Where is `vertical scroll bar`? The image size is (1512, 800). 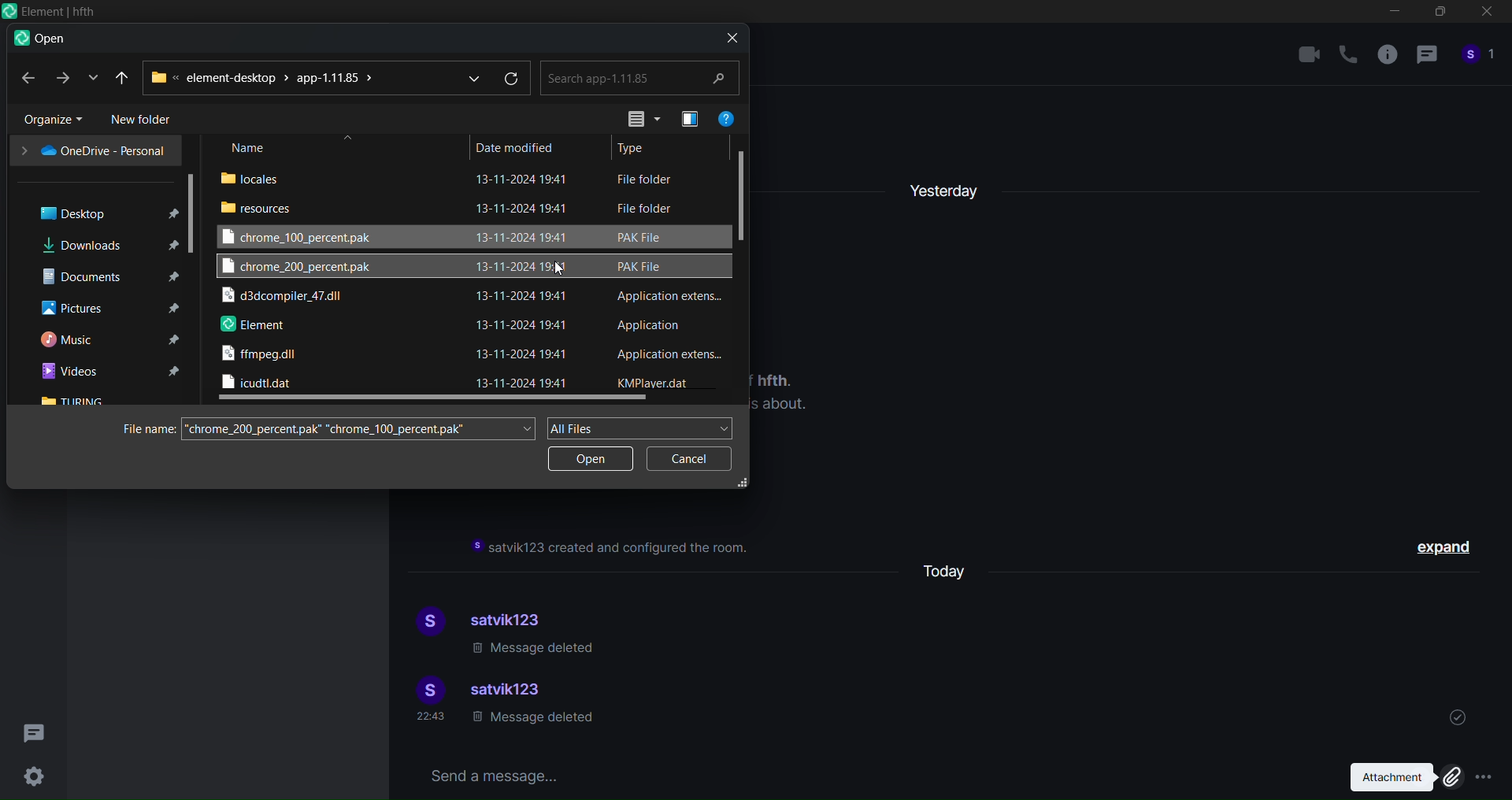 vertical scroll bar is located at coordinates (745, 191).